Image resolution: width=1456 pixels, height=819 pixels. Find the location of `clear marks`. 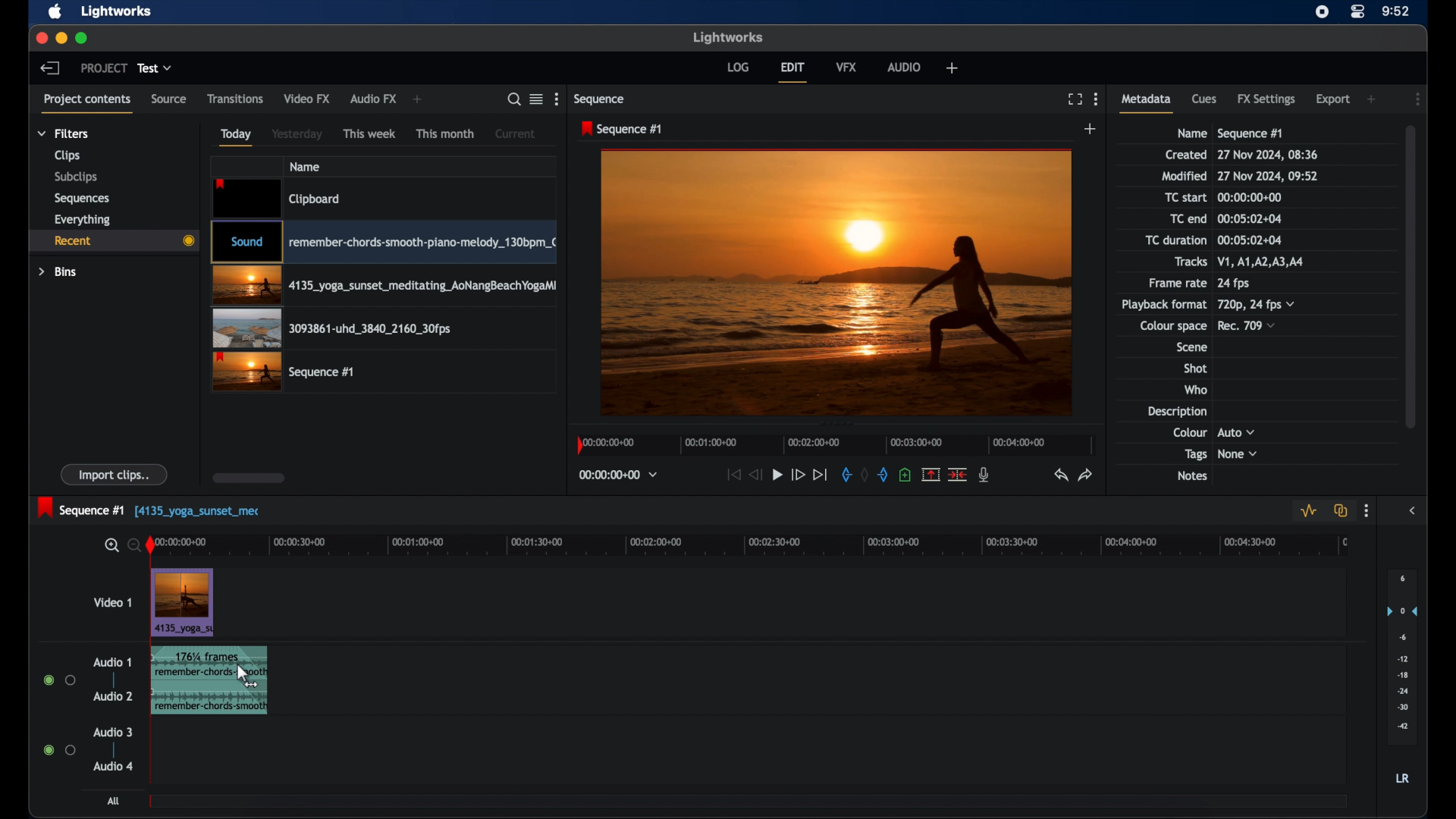

clear marks is located at coordinates (864, 475).